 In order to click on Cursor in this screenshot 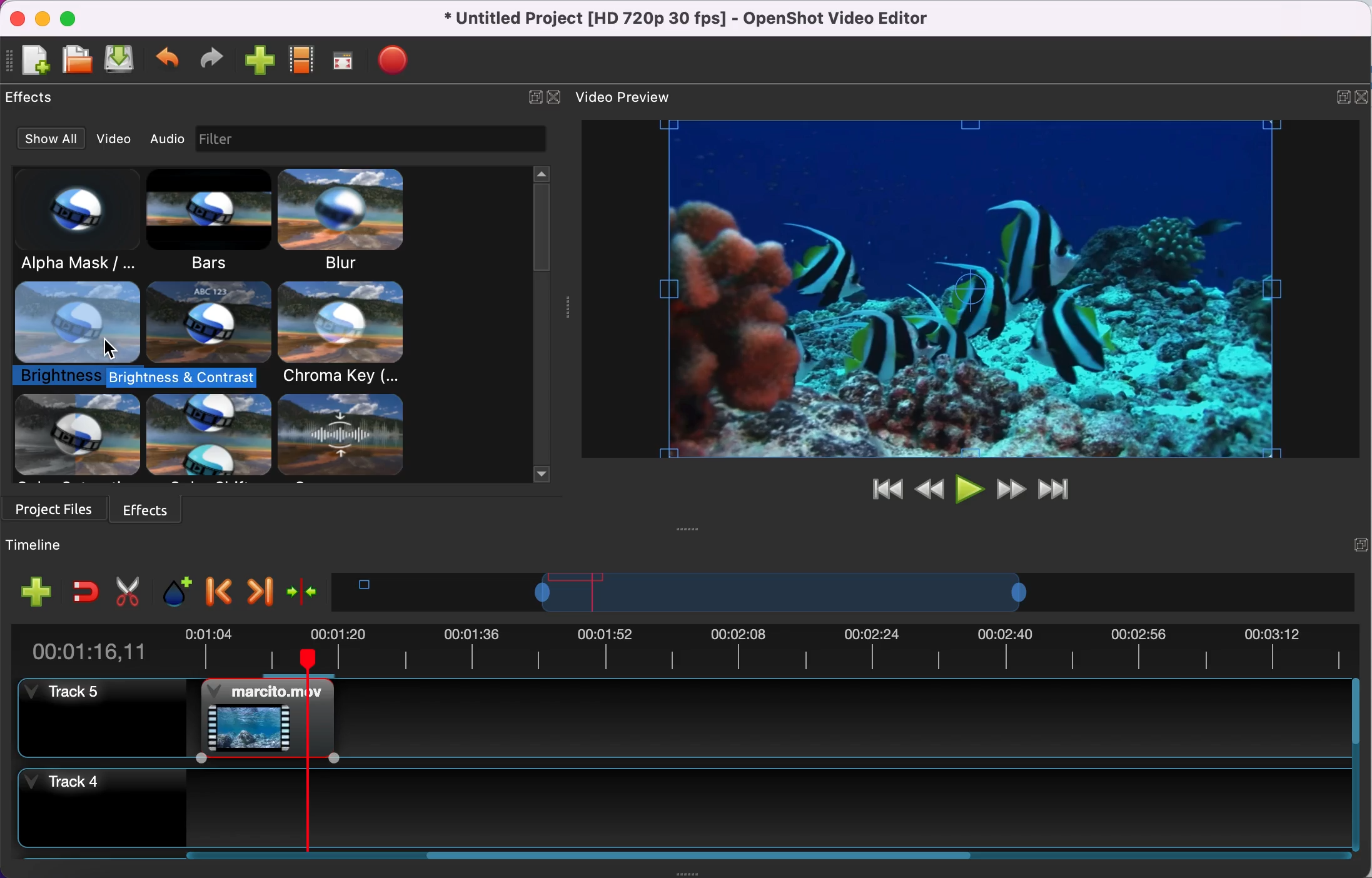, I will do `click(111, 349)`.